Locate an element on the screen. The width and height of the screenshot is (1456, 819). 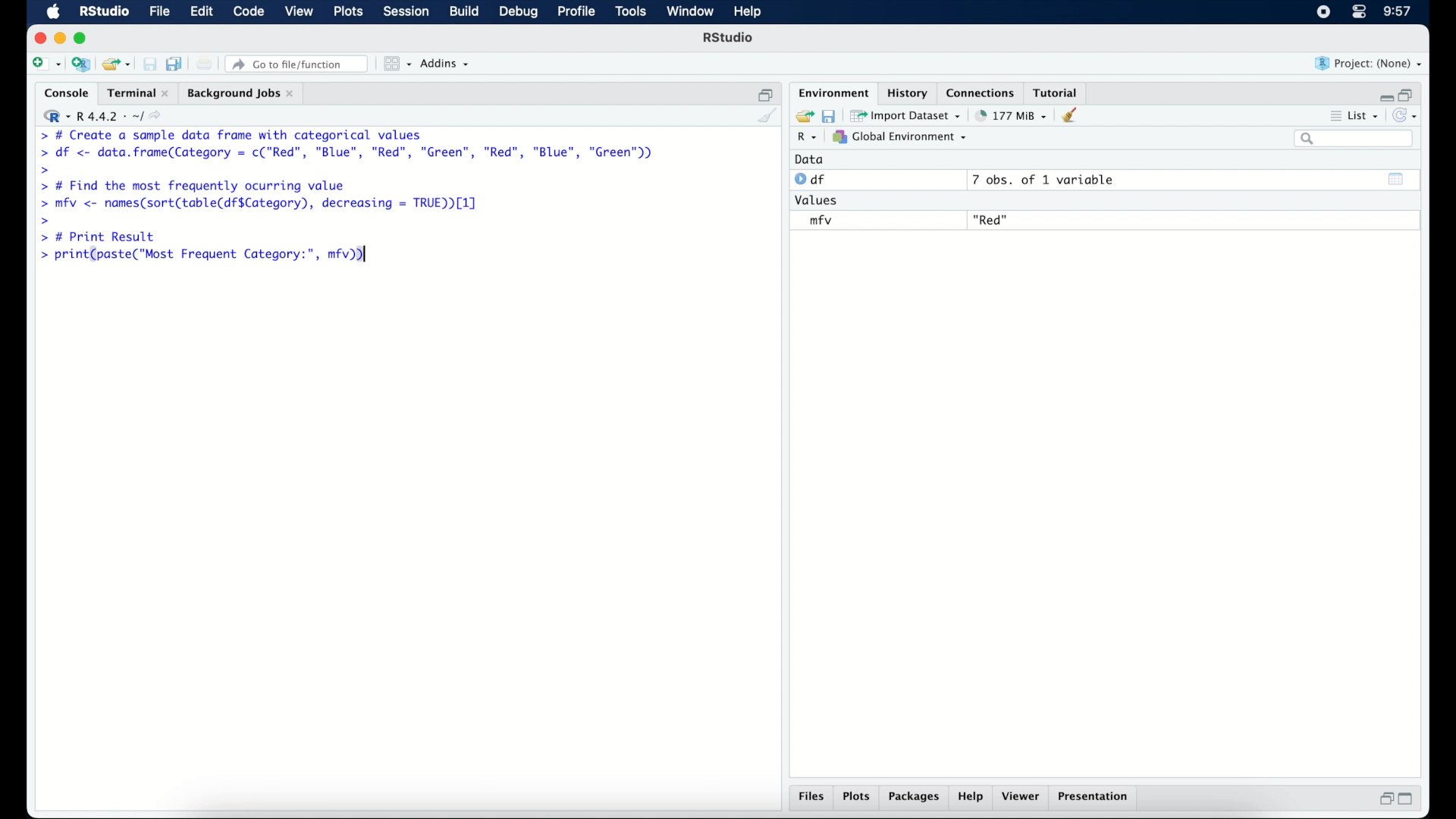
restore down is located at coordinates (764, 92).